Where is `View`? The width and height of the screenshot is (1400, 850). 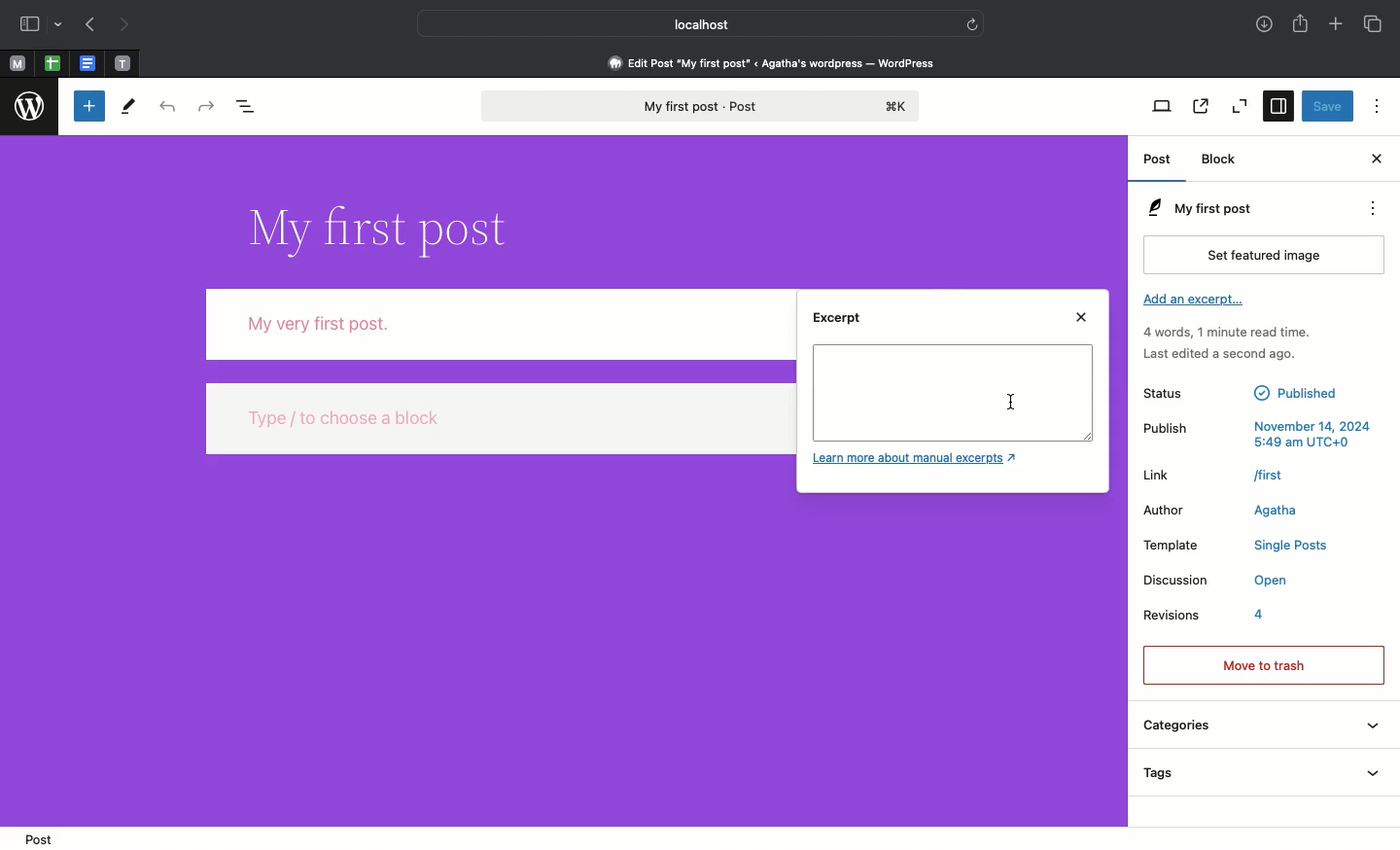 View is located at coordinates (1163, 107).